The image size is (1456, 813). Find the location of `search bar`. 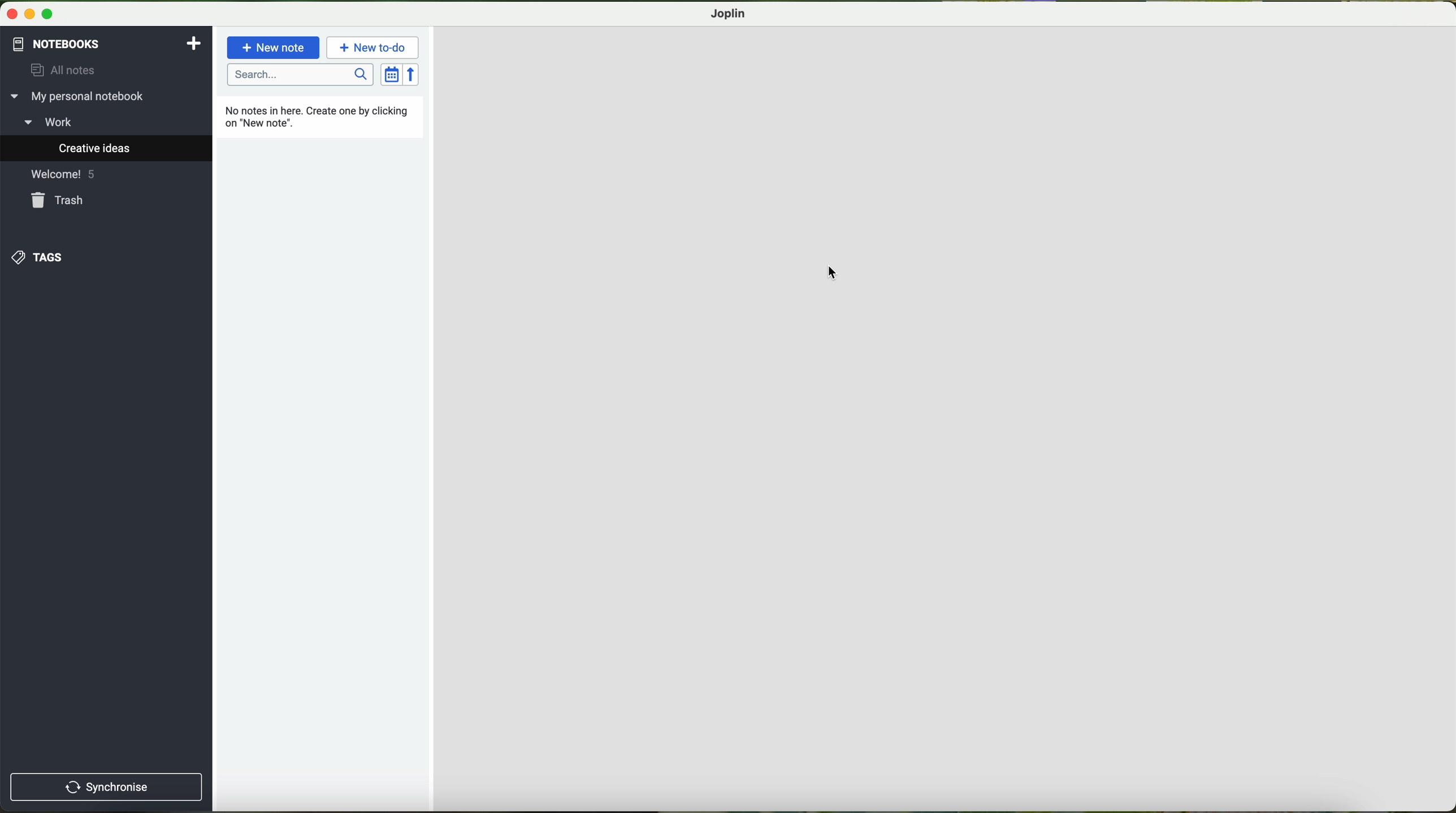

search bar is located at coordinates (301, 75).